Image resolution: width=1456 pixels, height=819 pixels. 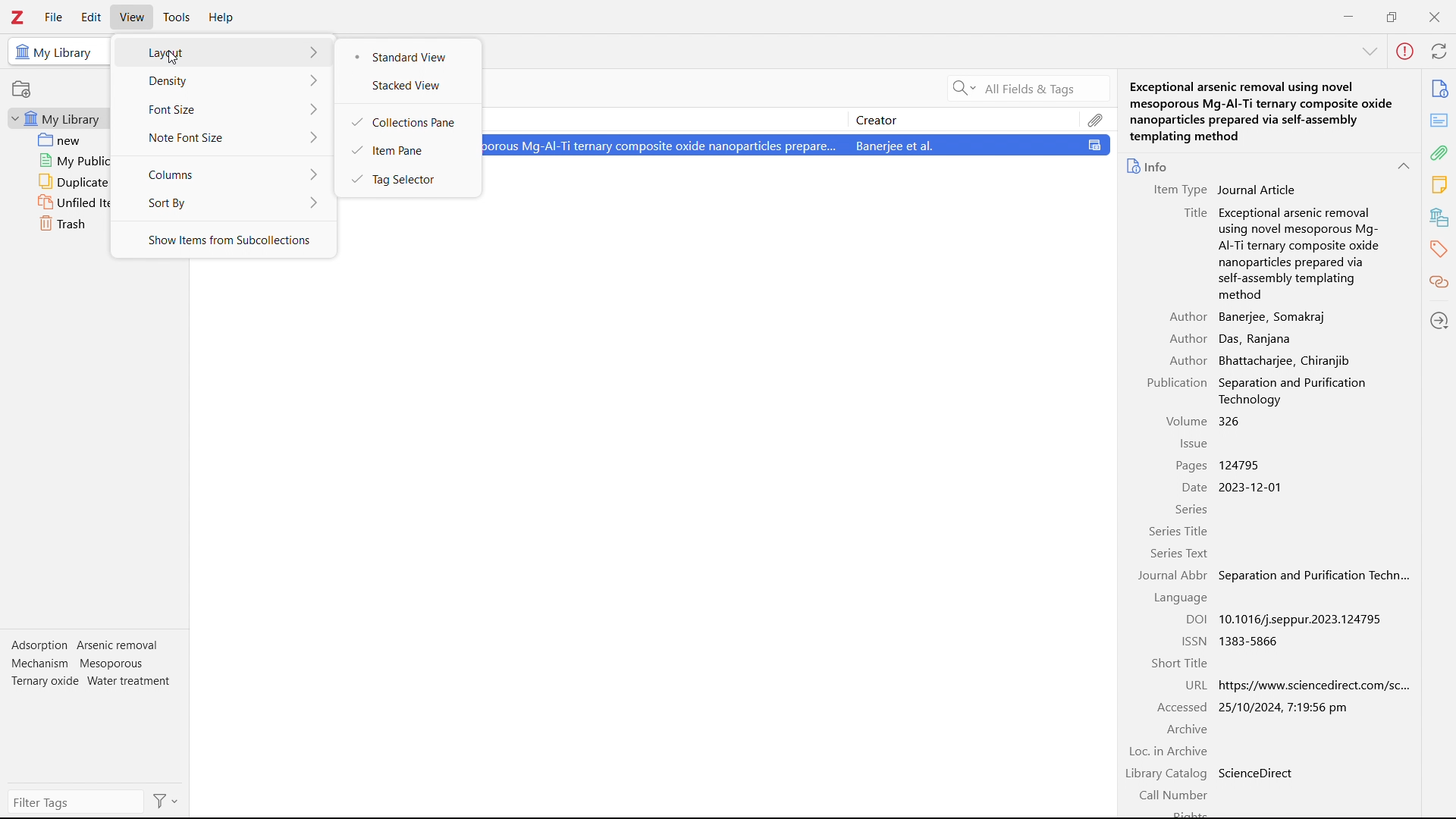 What do you see at coordinates (1173, 576) in the screenshot?
I see `Journal Abbr` at bounding box center [1173, 576].